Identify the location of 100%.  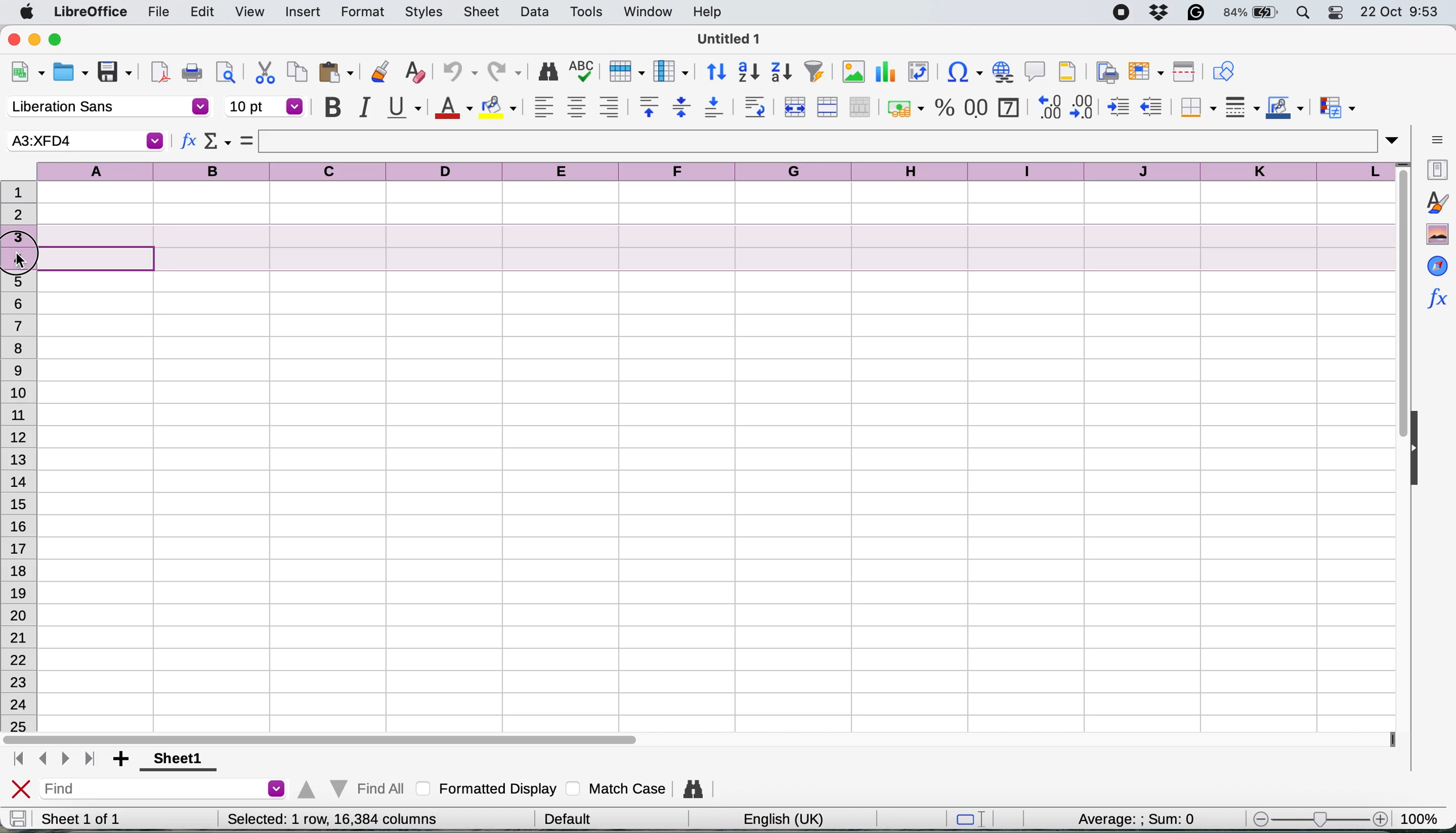
(1423, 816).